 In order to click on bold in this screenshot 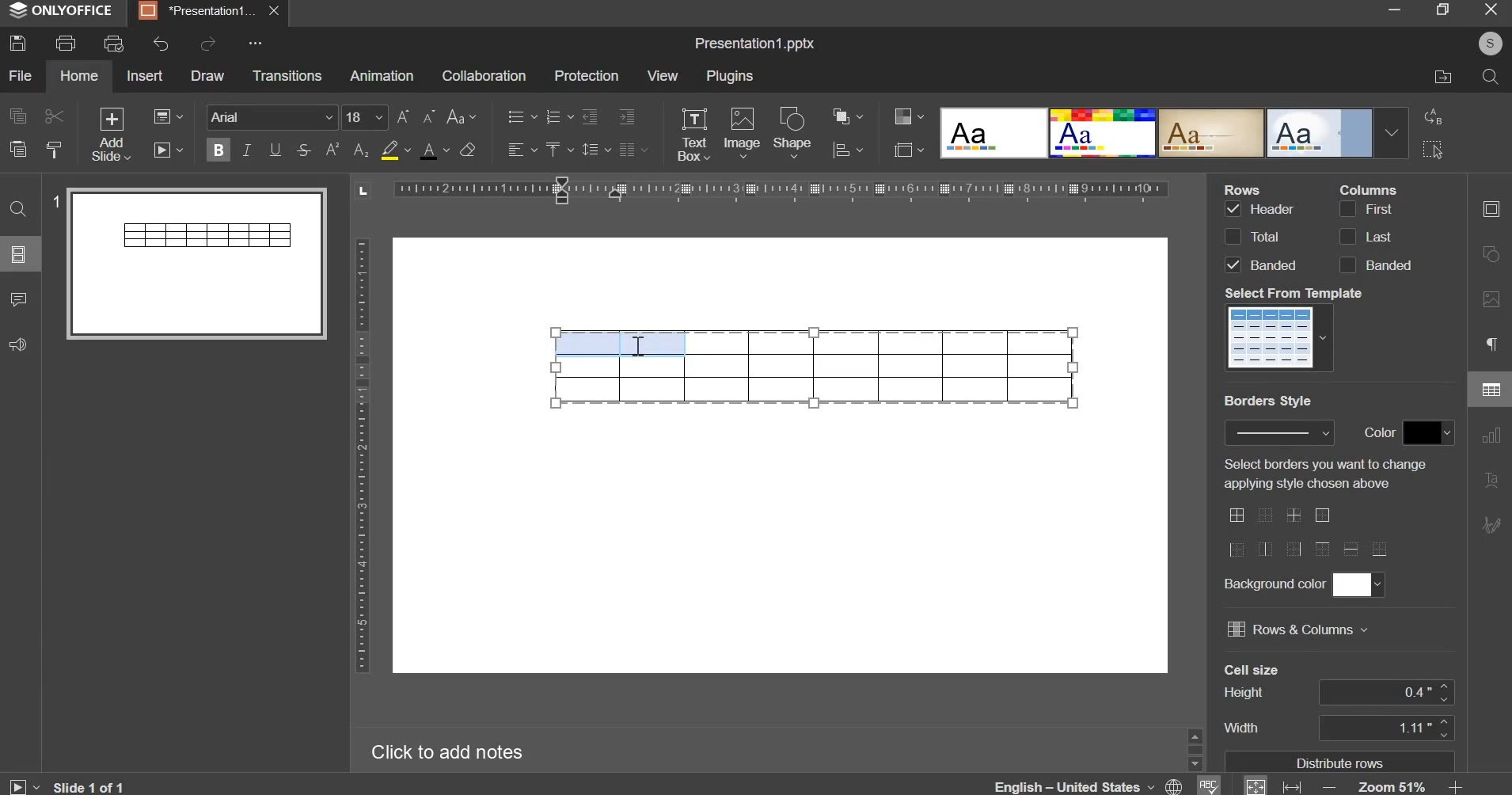, I will do `click(218, 147)`.